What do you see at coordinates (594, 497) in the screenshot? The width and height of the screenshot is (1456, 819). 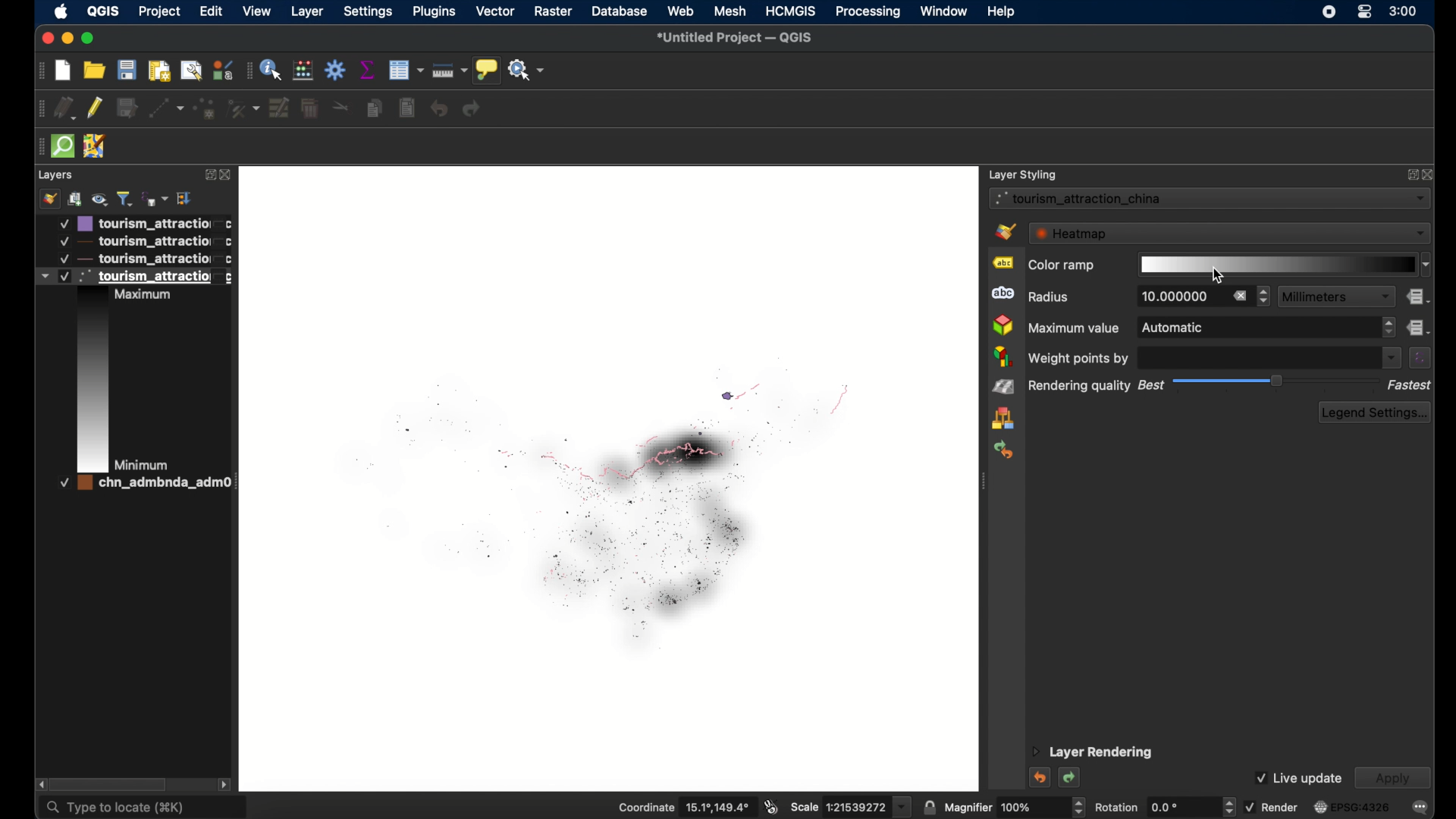 I see `black and white heat map` at bounding box center [594, 497].